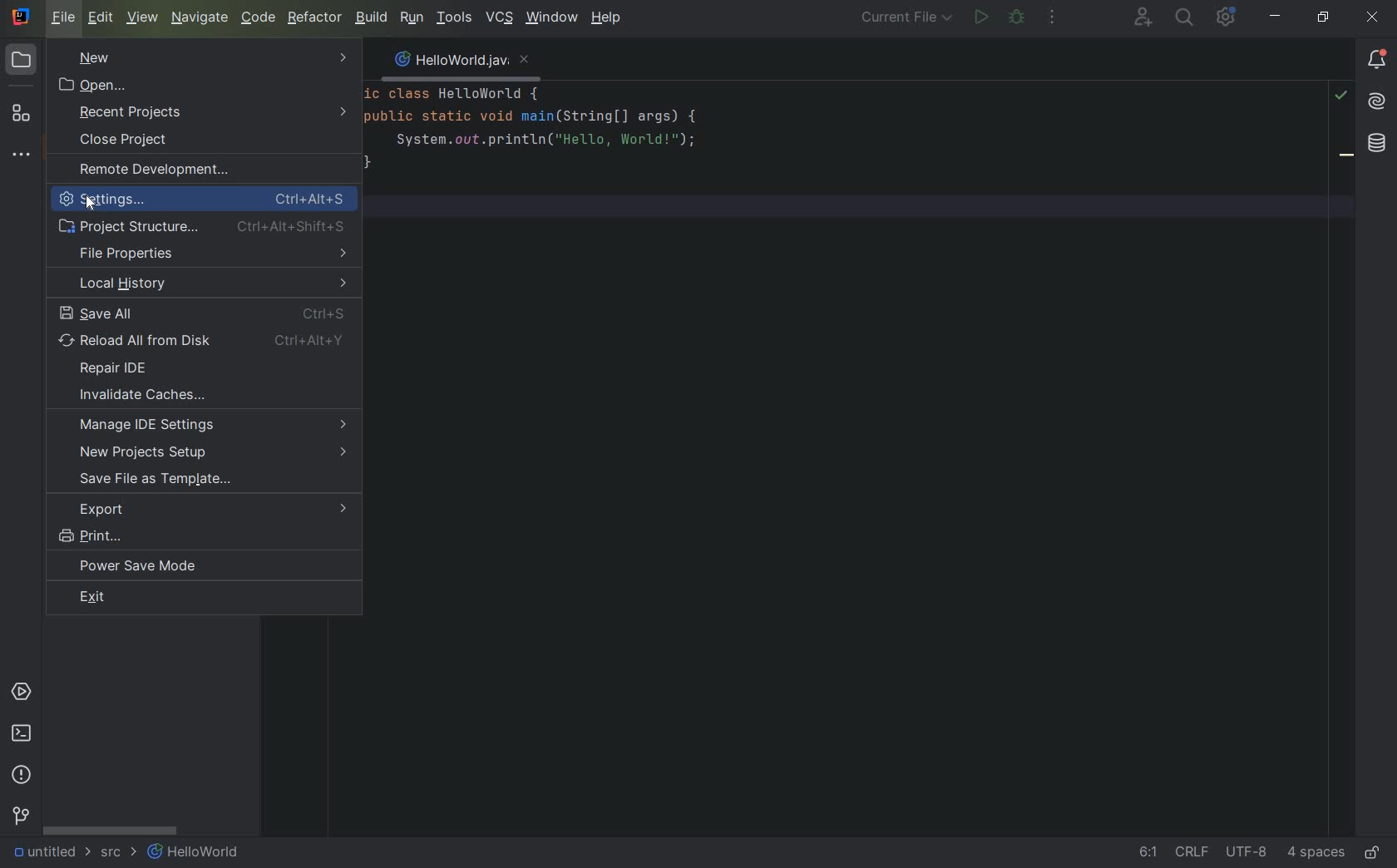 The width and height of the screenshot is (1397, 868). I want to click on new projects setup, so click(215, 452).